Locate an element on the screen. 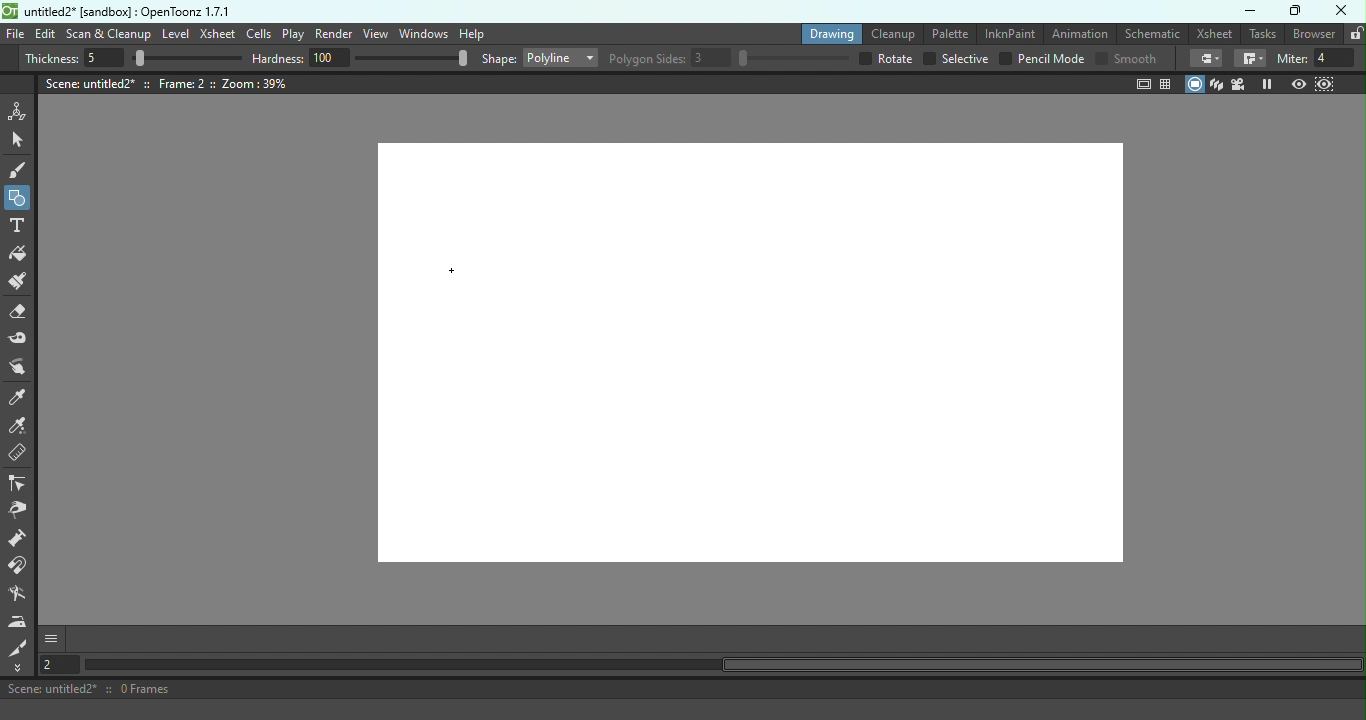  Paint Brush tool is located at coordinates (24, 283).